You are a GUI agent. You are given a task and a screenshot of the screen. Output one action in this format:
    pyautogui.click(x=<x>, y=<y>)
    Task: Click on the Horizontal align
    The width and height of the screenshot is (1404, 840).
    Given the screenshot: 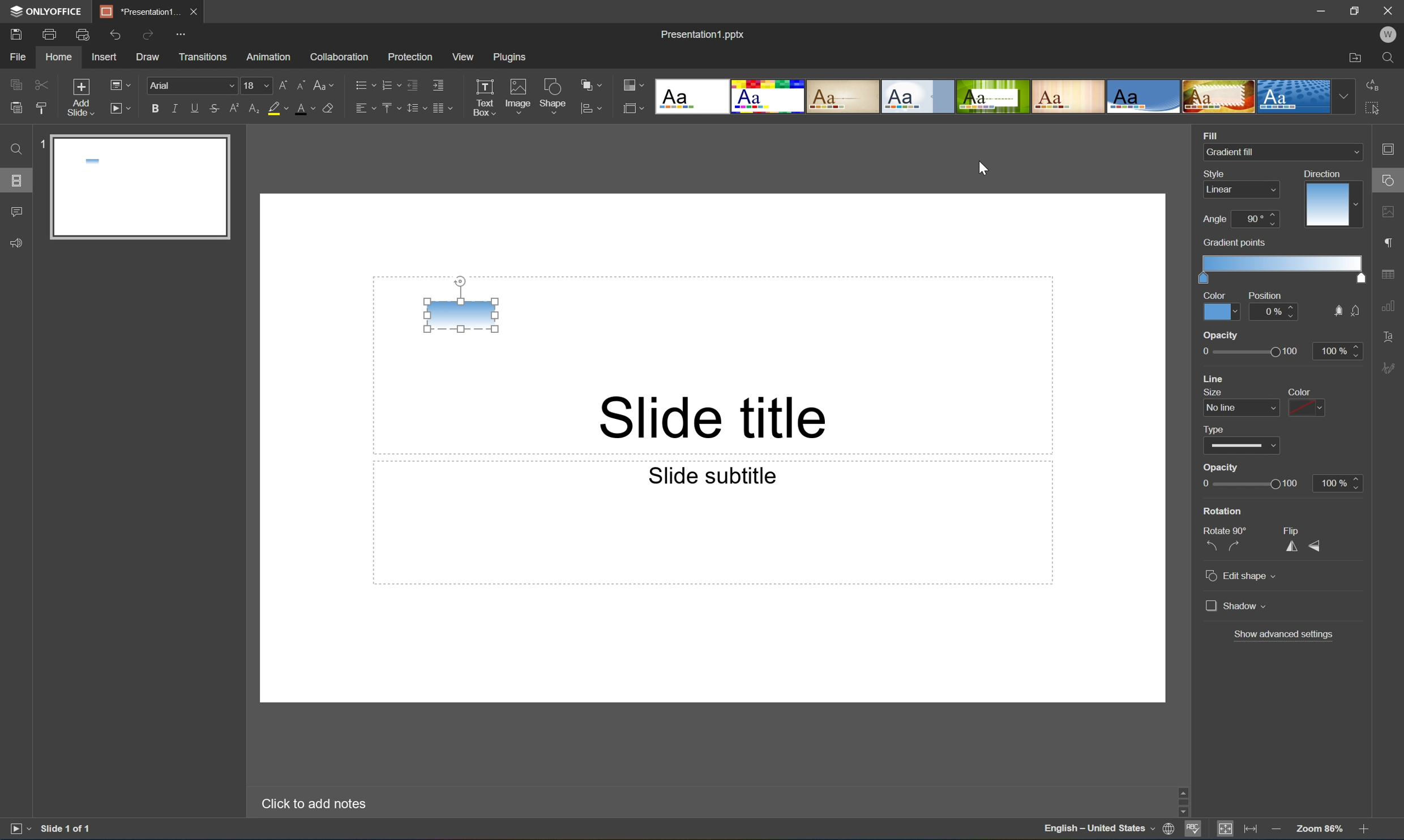 What is the action you would take?
    pyautogui.click(x=365, y=109)
    